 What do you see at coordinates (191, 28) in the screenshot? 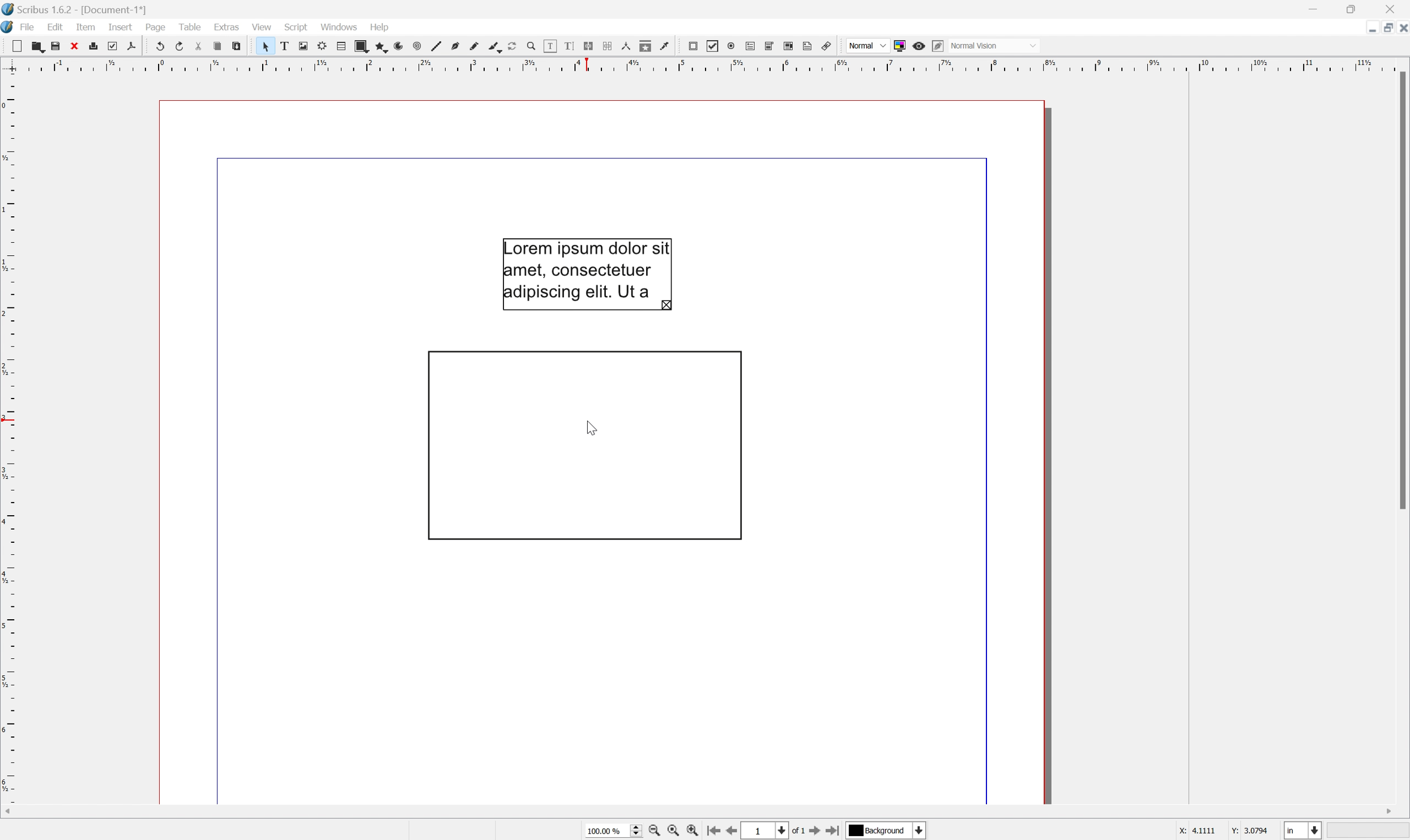
I see `Table` at bounding box center [191, 28].